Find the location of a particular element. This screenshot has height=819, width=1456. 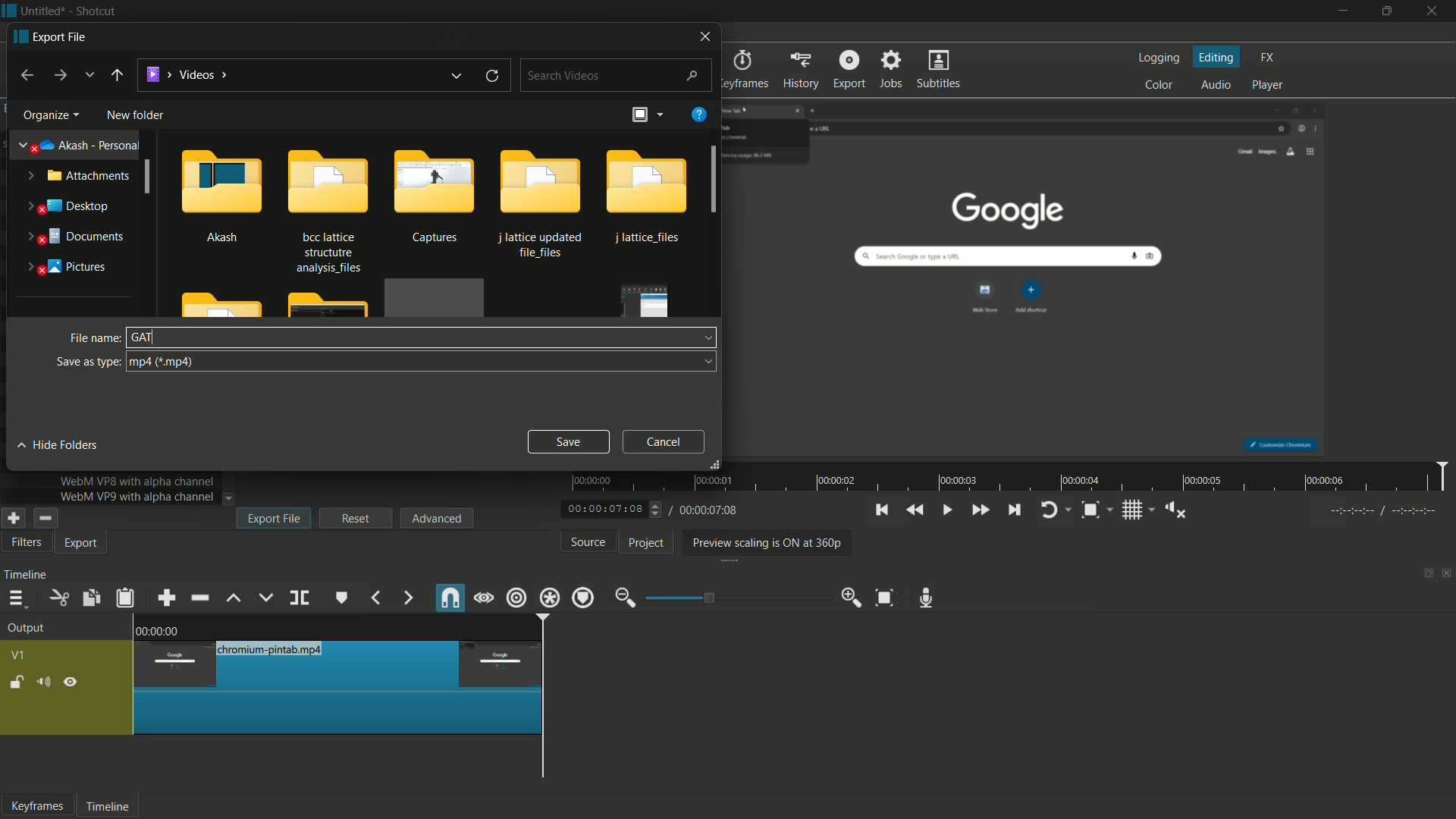

minimize is located at coordinates (1343, 11).